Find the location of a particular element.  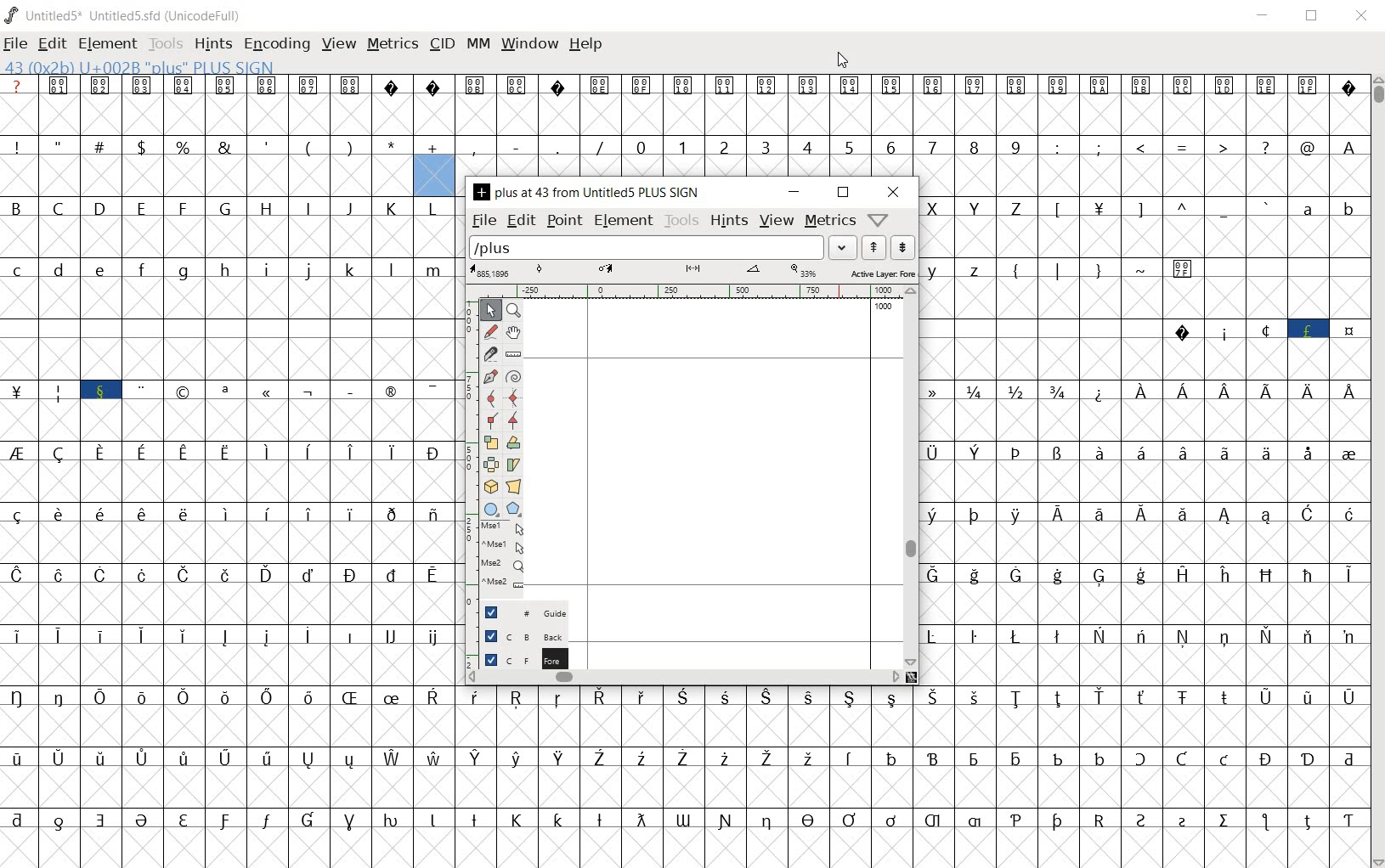

add a curve point always either horizontal or vertical is located at coordinates (514, 397).